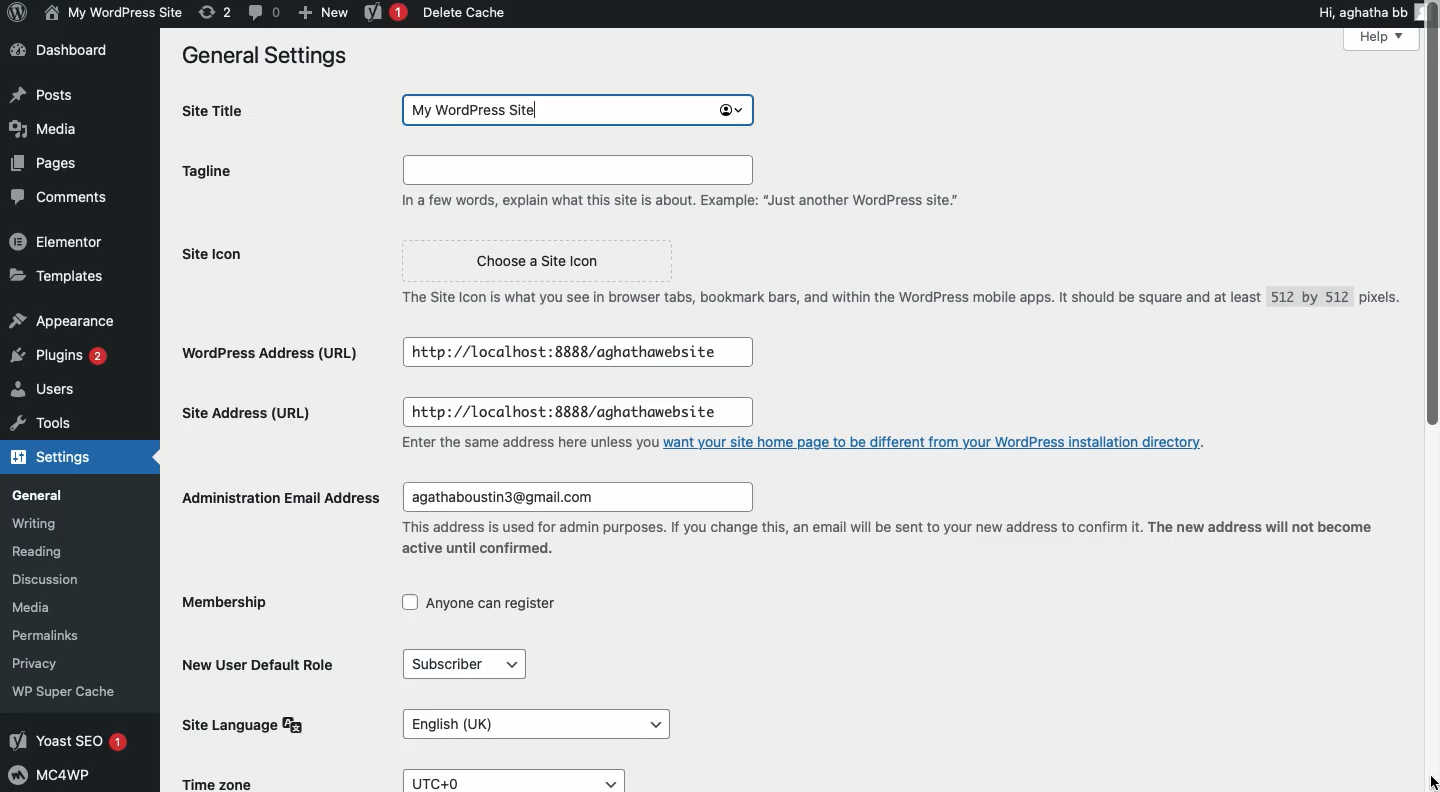  Describe the element at coordinates (468, 12) in the screenshot. I see `Delete cache` at that location.